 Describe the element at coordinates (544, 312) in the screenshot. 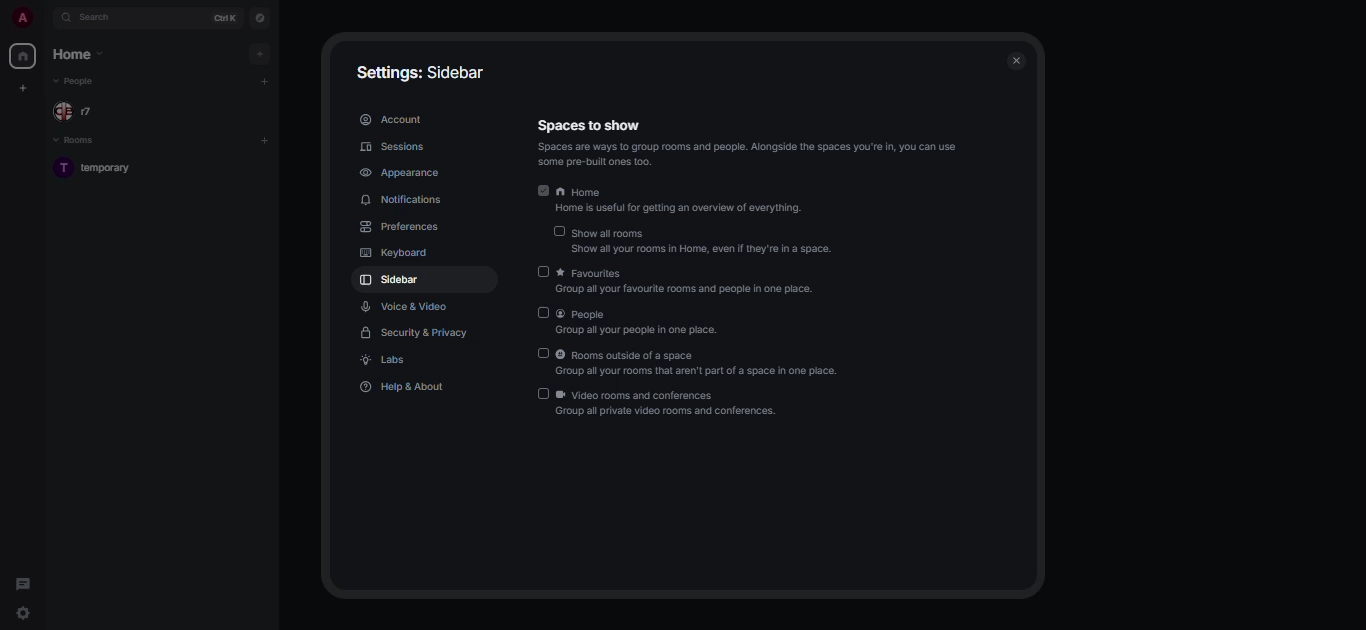

I see `disabled` at that location.